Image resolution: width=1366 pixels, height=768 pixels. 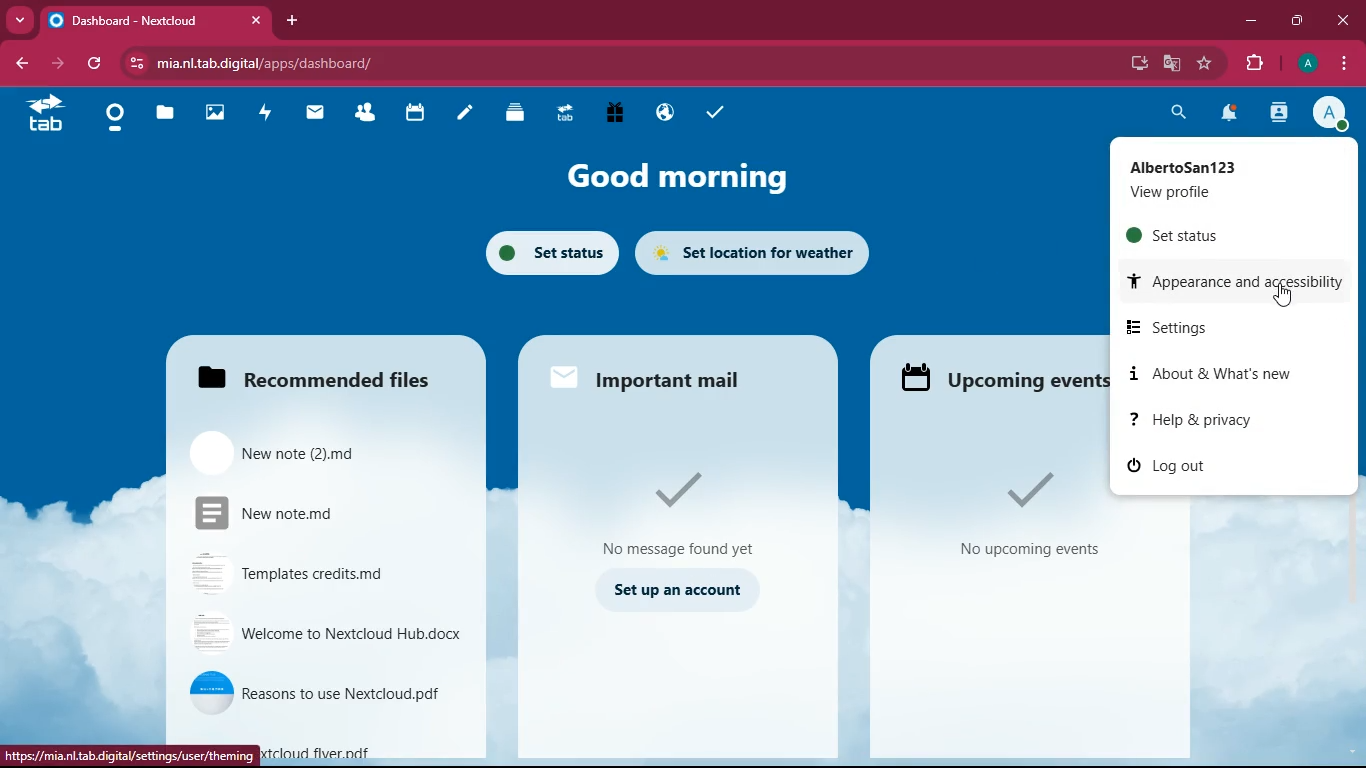 I want to click on friends, so click(x=361, y=112).